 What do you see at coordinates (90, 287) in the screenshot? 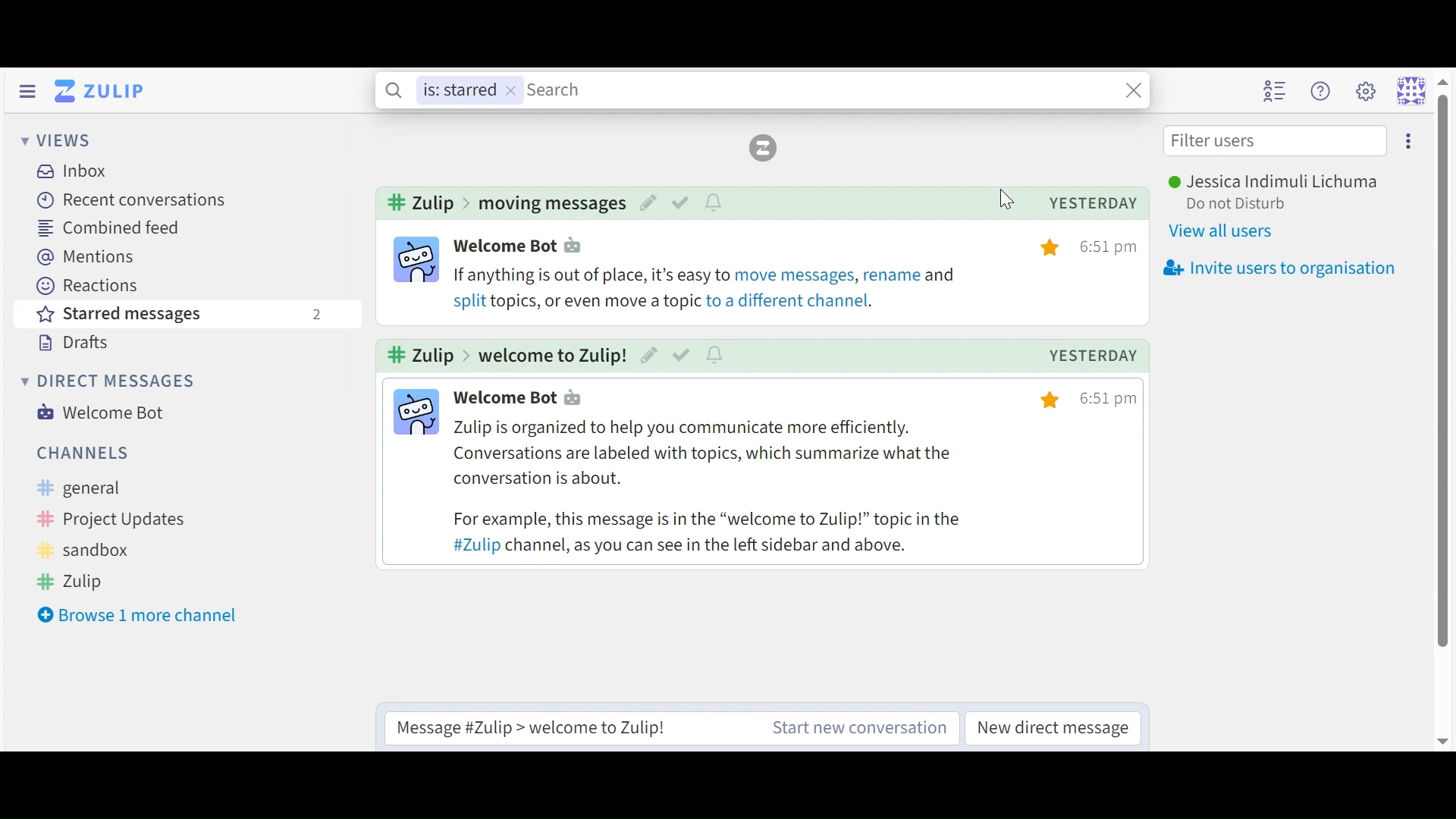
I see `Reactions` at bounding box center [90, 287].